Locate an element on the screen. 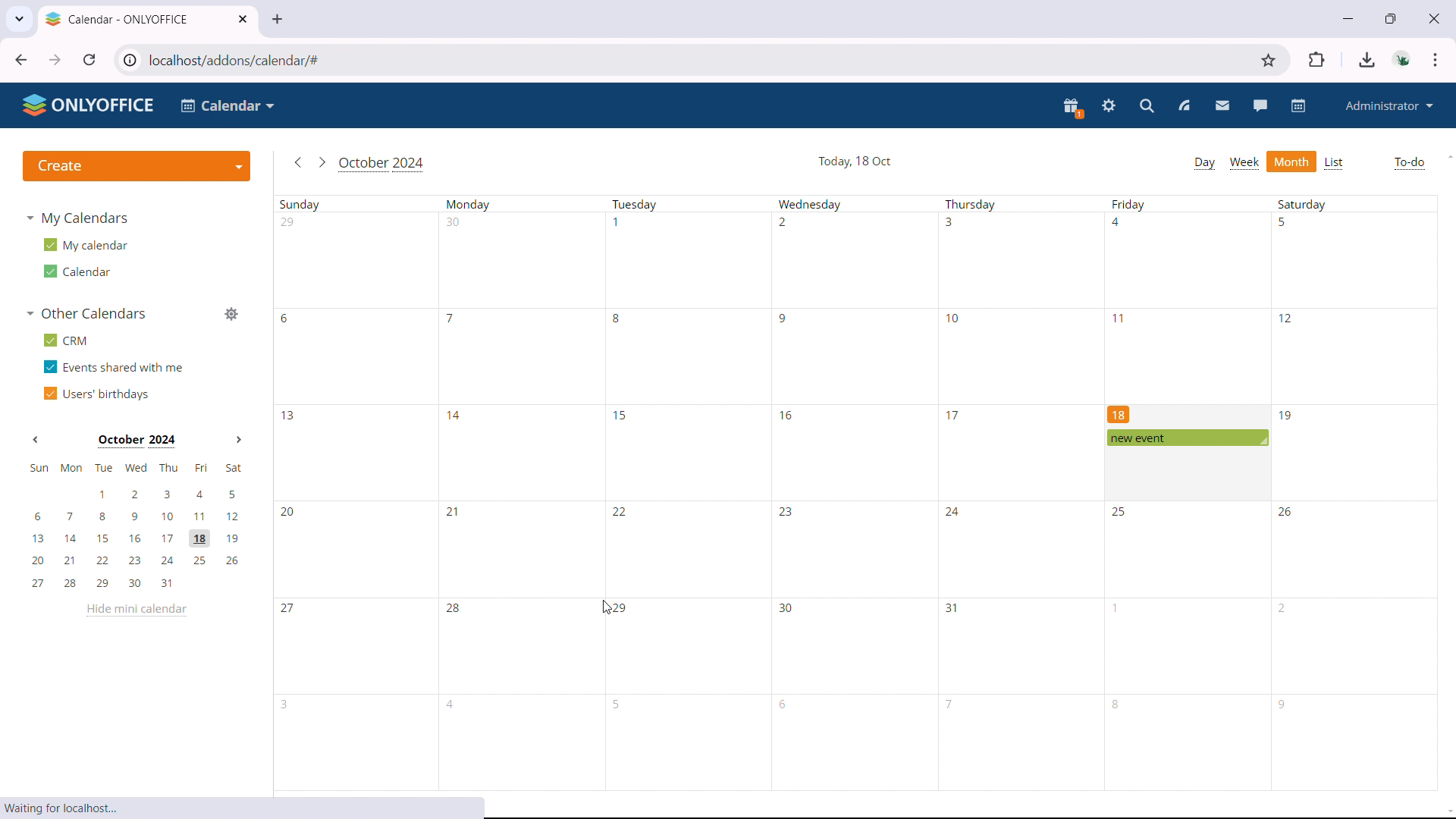 Image resolution: width=1456 pixels, height=819 pixels. 30 is located at coordinates (454, 222).